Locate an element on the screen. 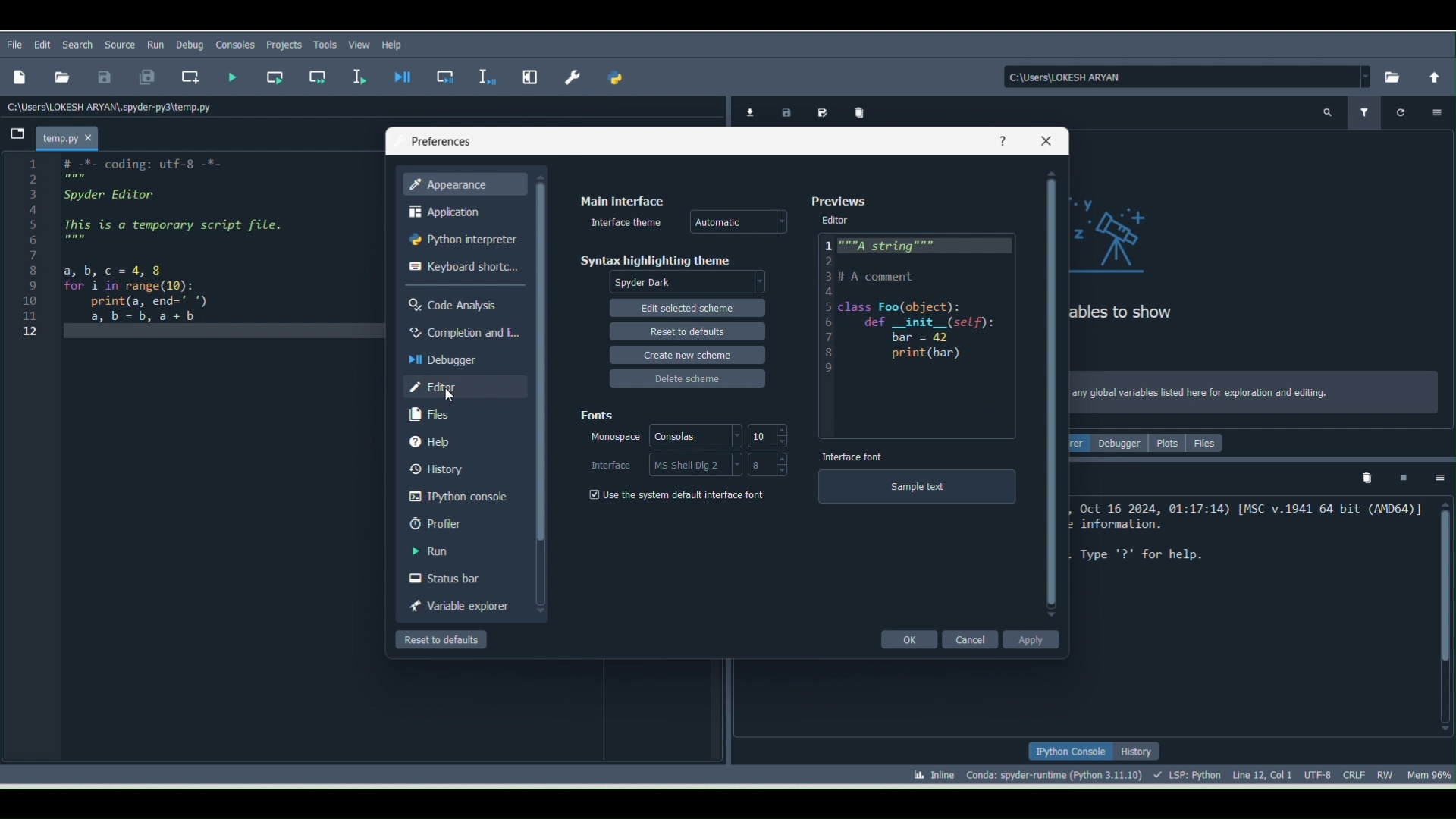  Create new scheme is located at coordinates (684, 353).